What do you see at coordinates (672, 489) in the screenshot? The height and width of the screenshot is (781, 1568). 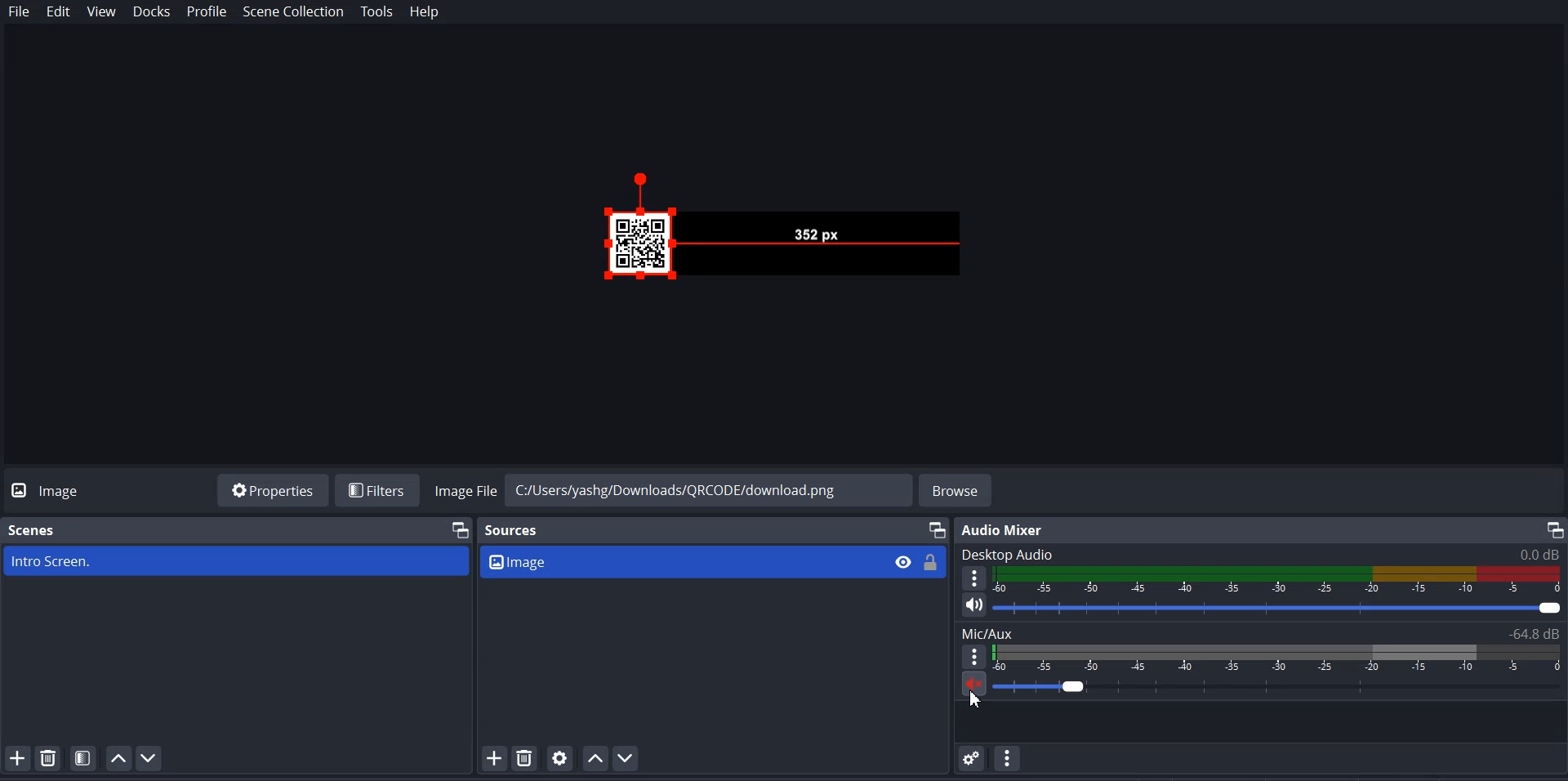 I see `File Path address` at bounding box center [672, 489].